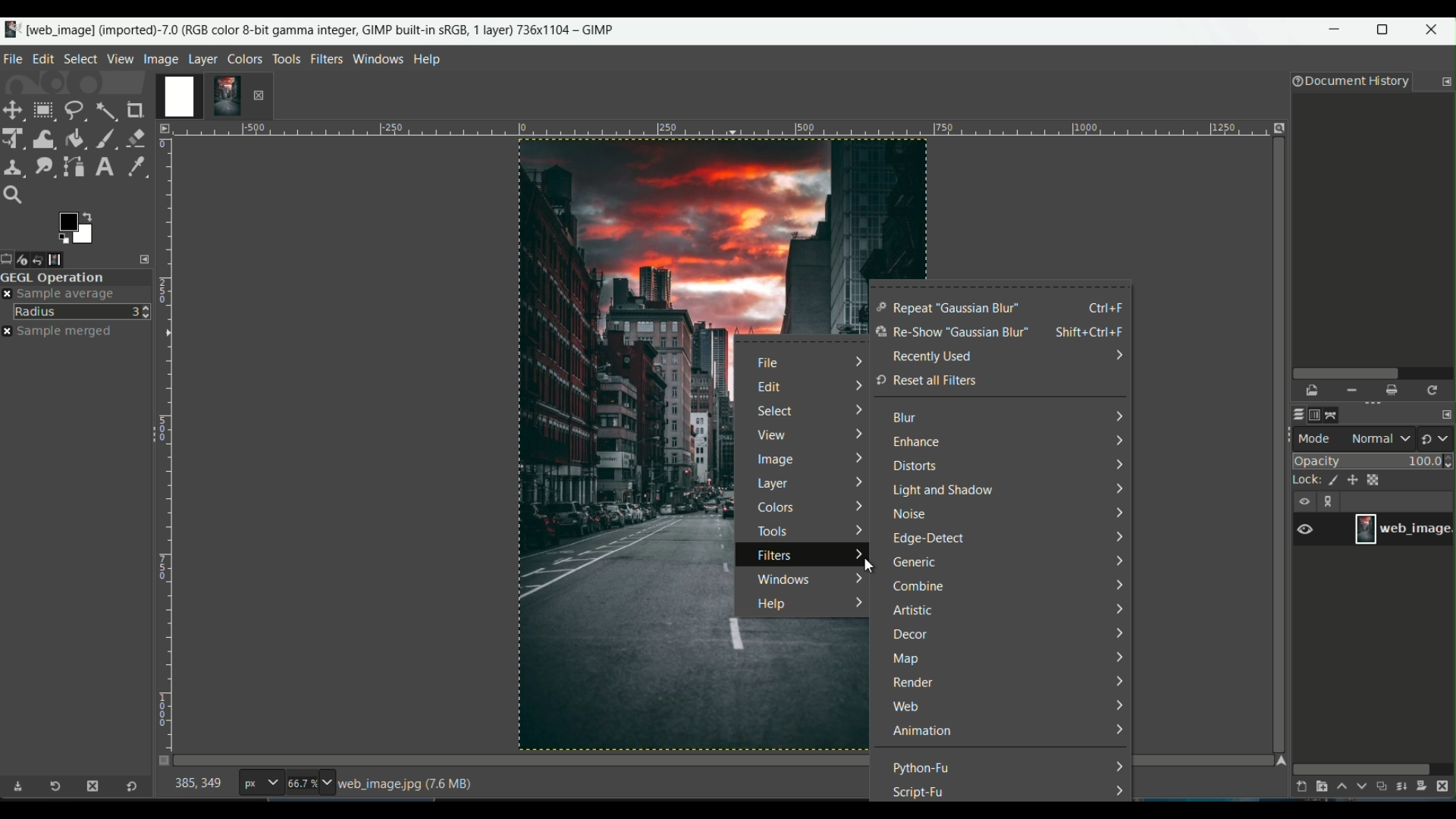  What do you see at coordinates (932, 356) in the screenshot?
I see `recently used` at bounding box center [932, 356].